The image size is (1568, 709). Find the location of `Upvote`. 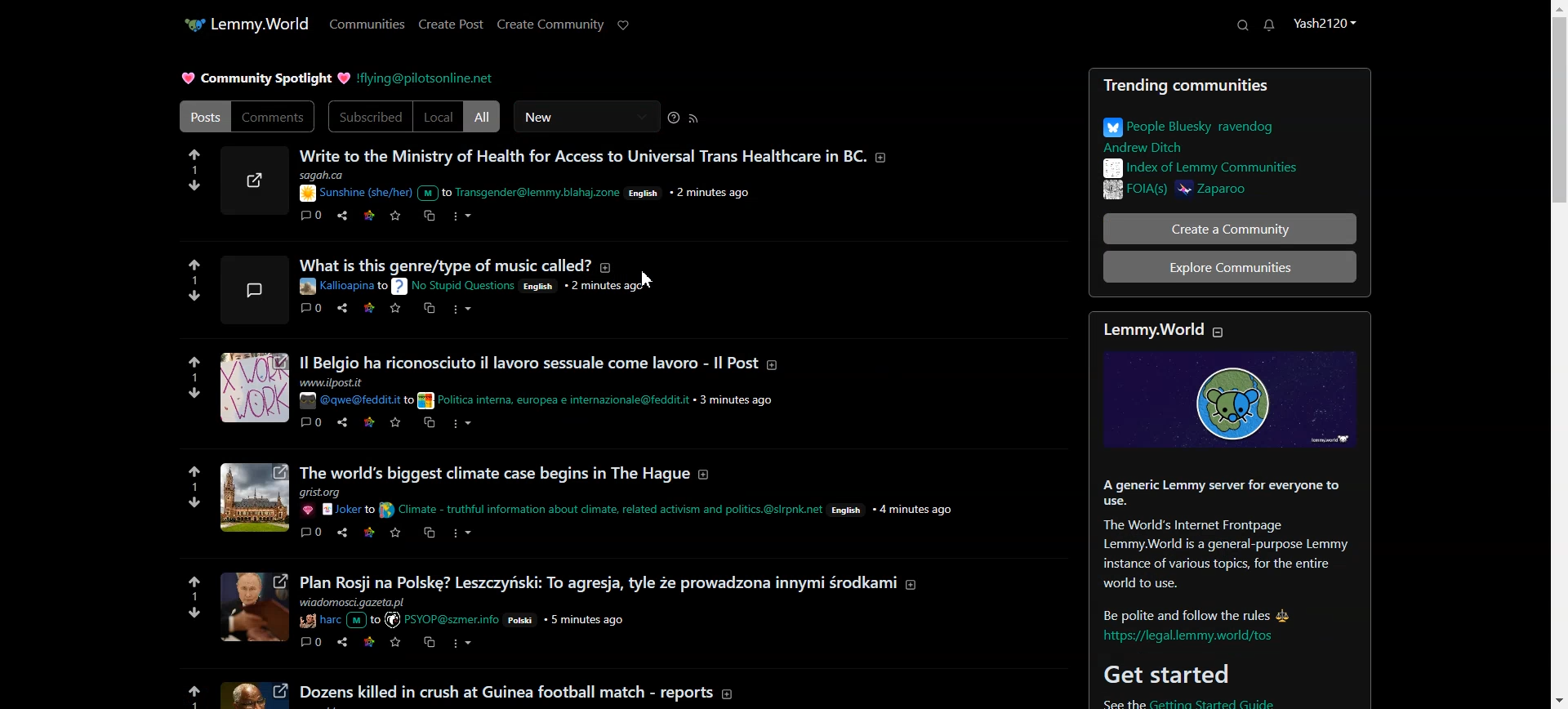

Upvote is located at coordinates (194, 154).